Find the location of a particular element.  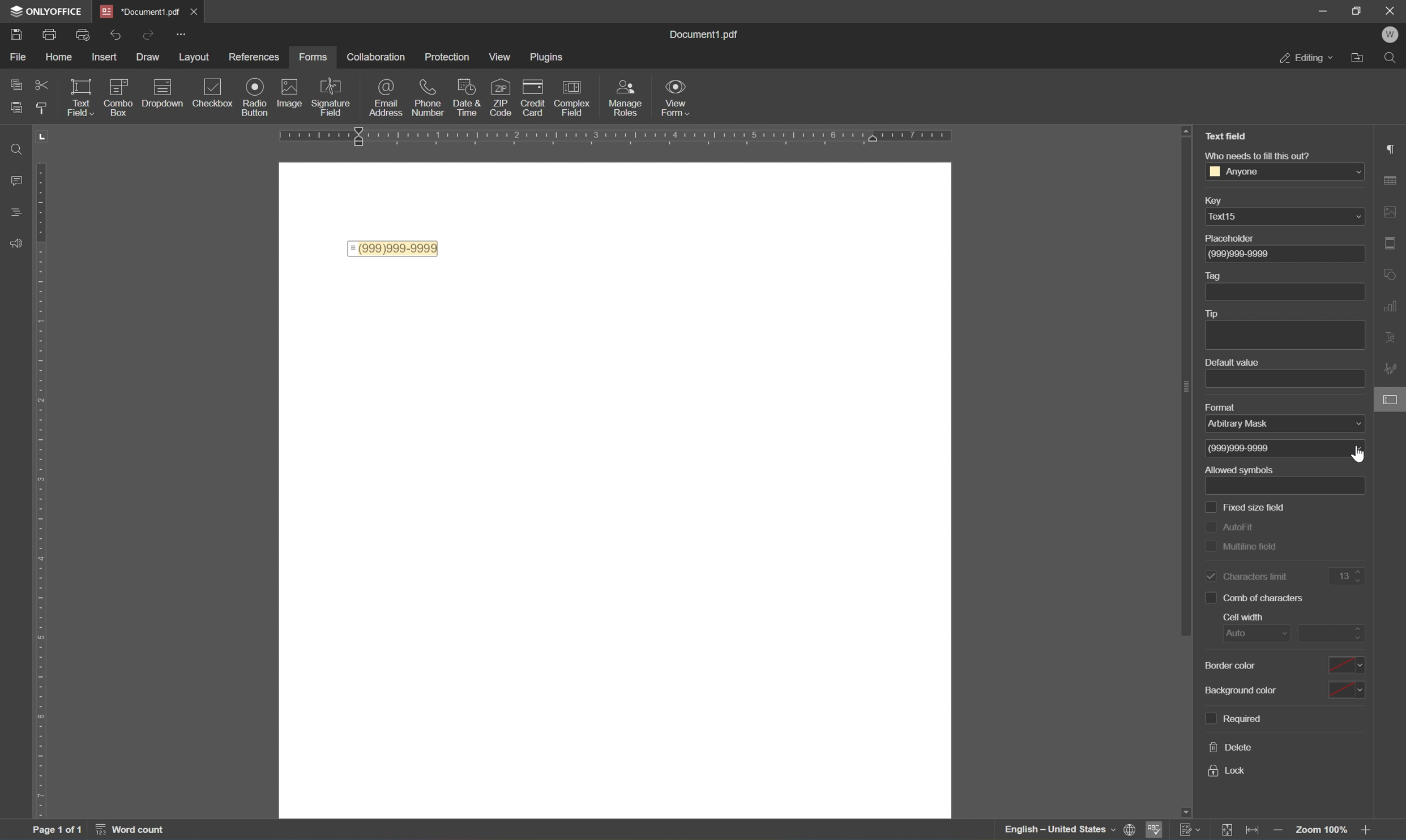

spell checking is located at coordinates (1155, 830).